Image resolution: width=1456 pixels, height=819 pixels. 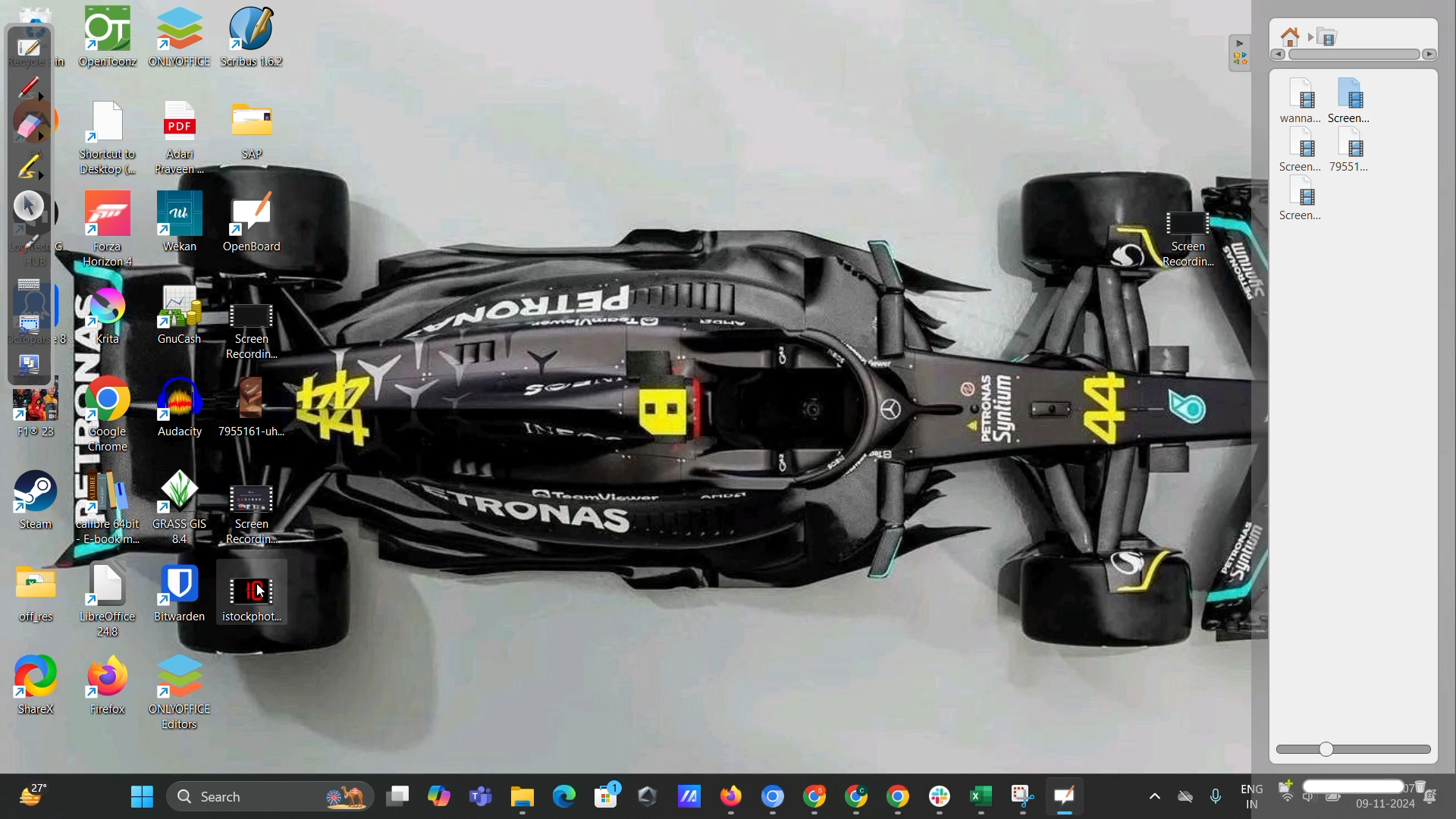 What do you see at coordinates (819, 796) in the screenshot?
I see `minimized google chrome` at bounding box center [819, 796].